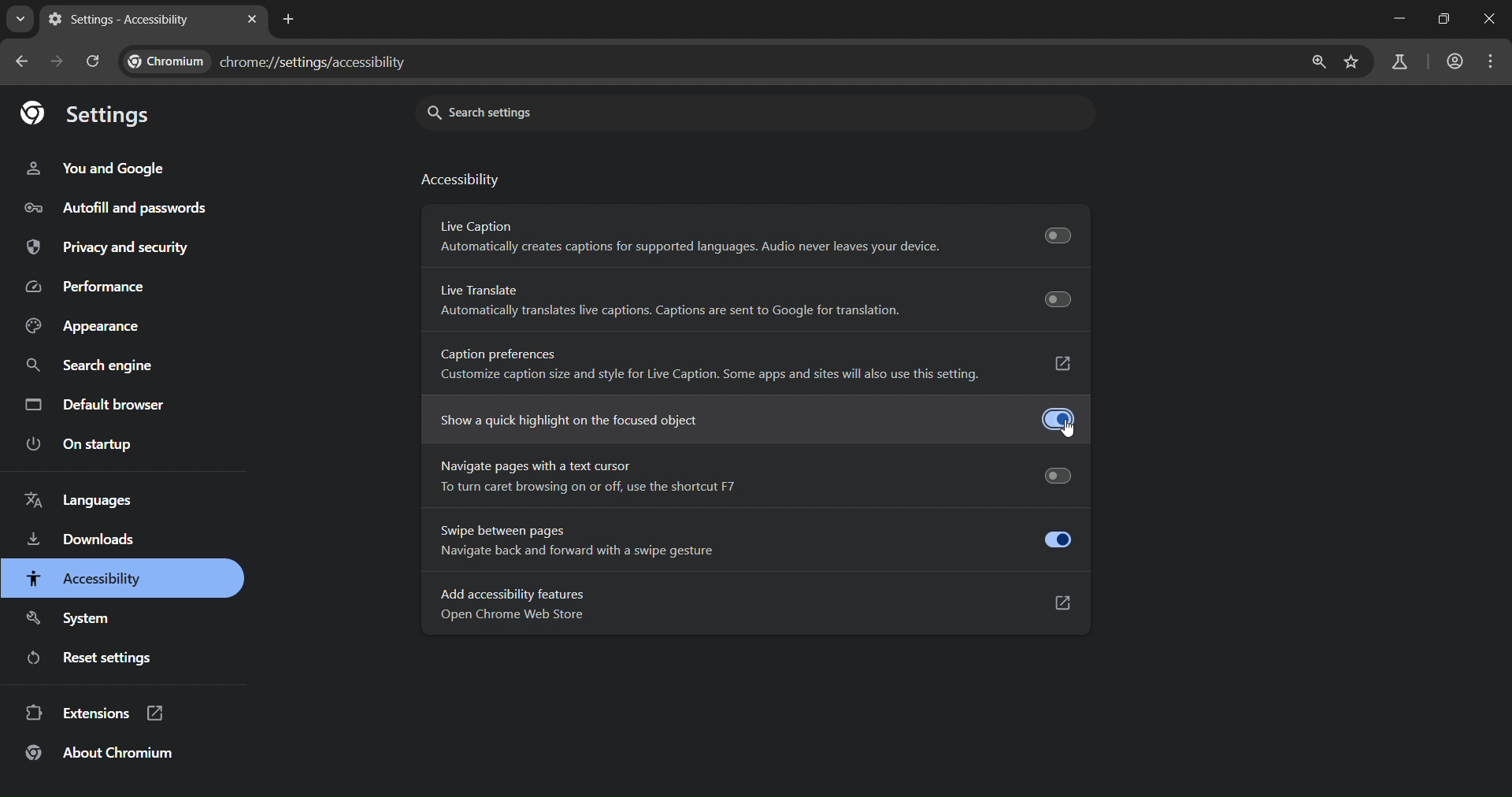 Image resolution: width=1512 pixels, height=797 pixels. I want to click on new tab, so click(289, 21).